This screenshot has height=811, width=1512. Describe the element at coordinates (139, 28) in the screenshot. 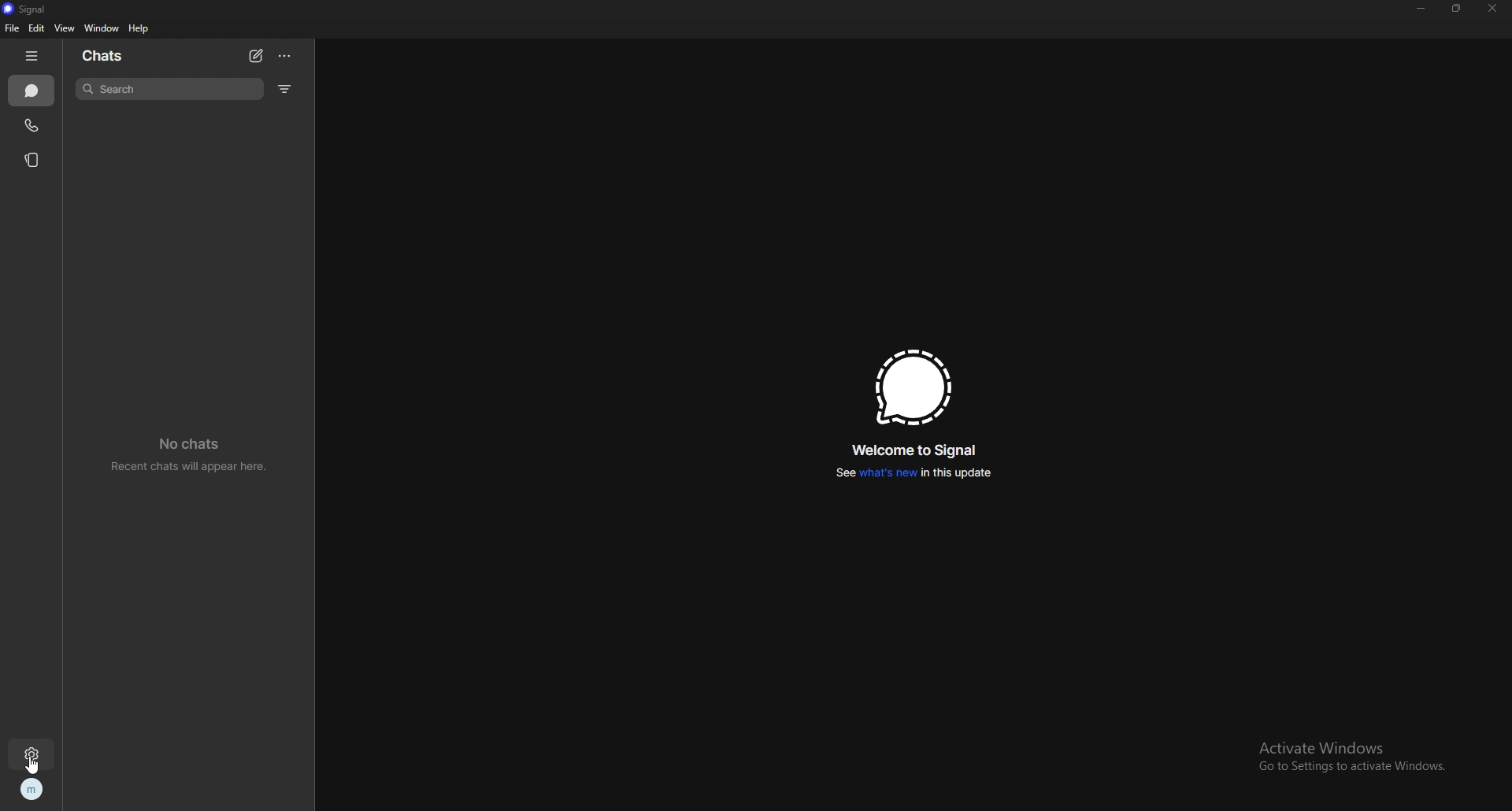

I see `help` at that location.